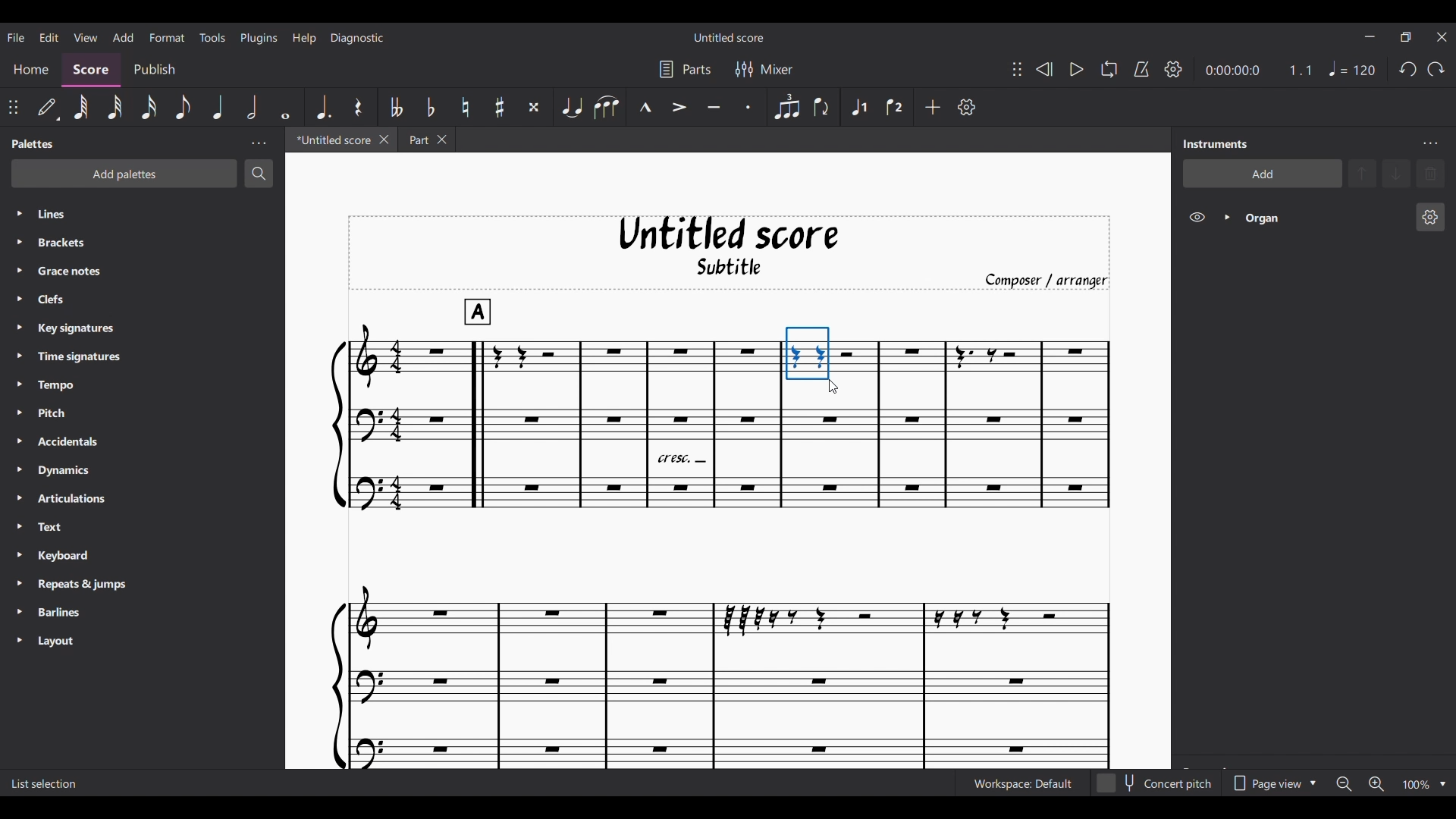 Image resolution: width=1456 pixels, height=819 pixels. What do you see at coordinates (149, 108) in the screenshot?
I see `16th note` at bounding box center [149, 108].